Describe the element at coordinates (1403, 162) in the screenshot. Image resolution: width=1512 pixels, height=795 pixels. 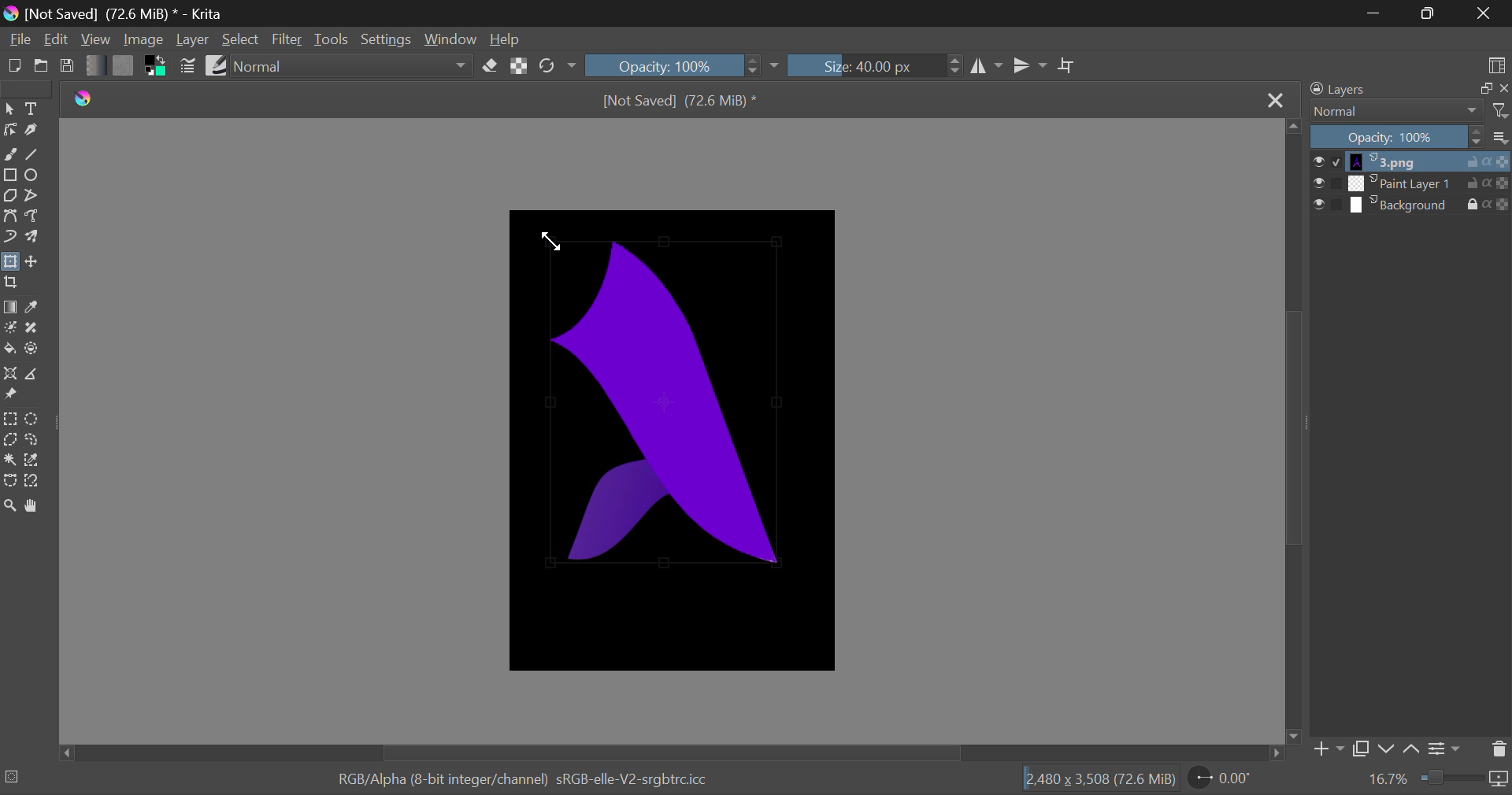
I see `layer 1` at that location.